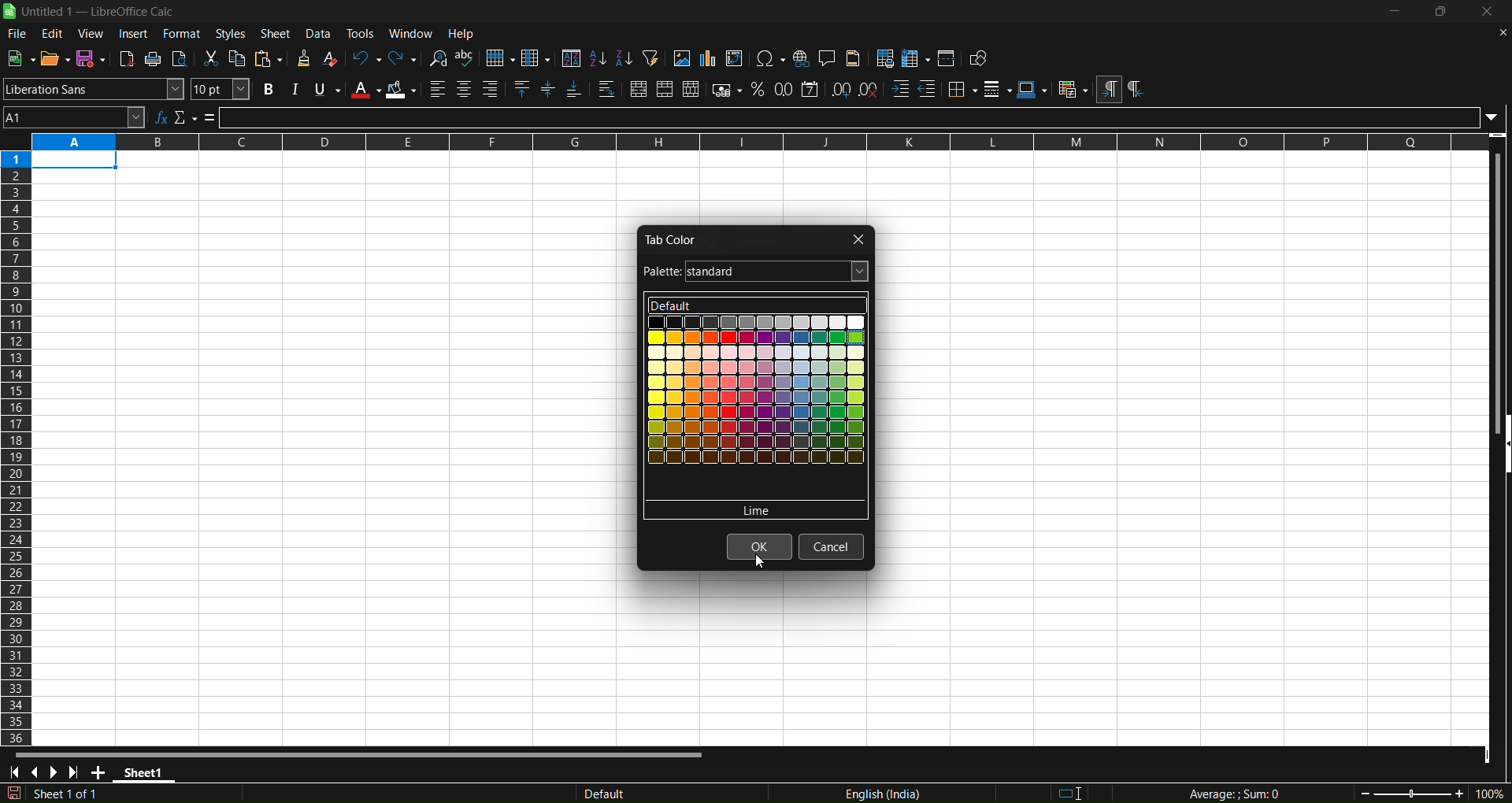 The width and height of the screenshot is (1512, 803). Describe the element at coordinates (736, 58) in the screenshot. I see `insert or edit pivot table` at that location.